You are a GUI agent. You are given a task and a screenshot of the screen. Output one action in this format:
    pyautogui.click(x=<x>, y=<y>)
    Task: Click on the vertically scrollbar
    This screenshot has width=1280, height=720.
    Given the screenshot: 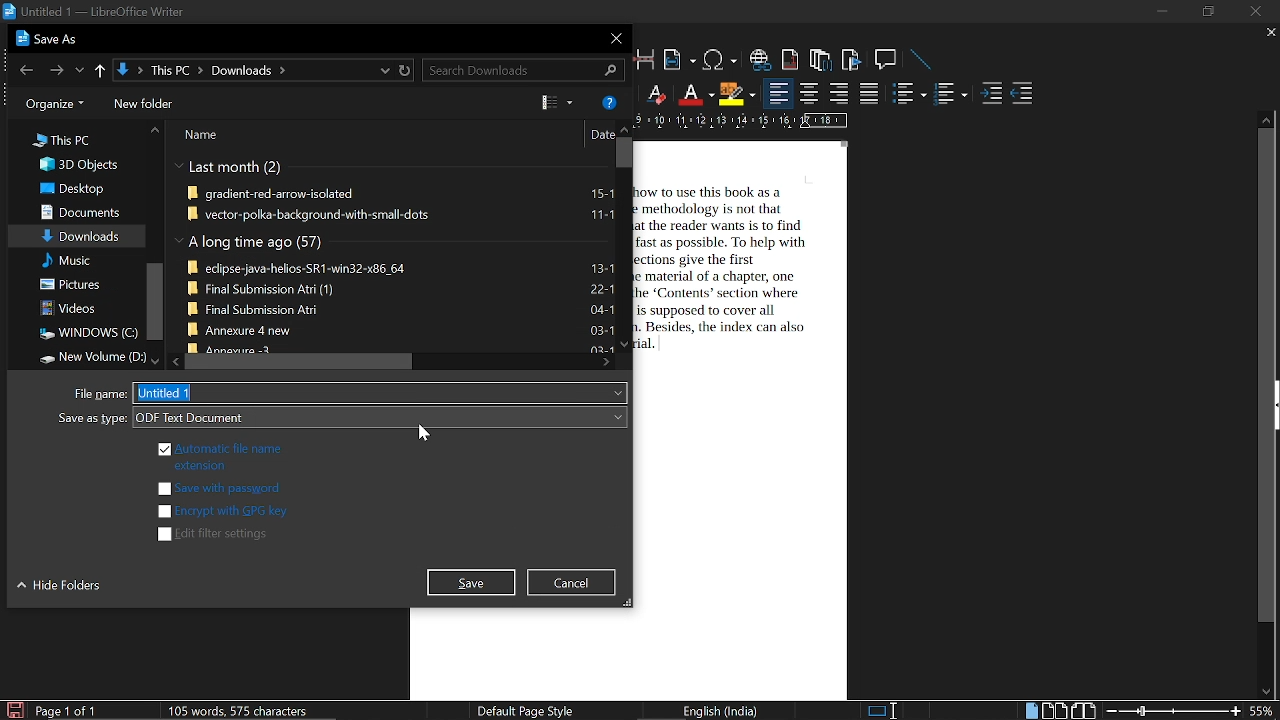 What is the action you would take?
    pyautogui.click(x=1267, y=376)
    